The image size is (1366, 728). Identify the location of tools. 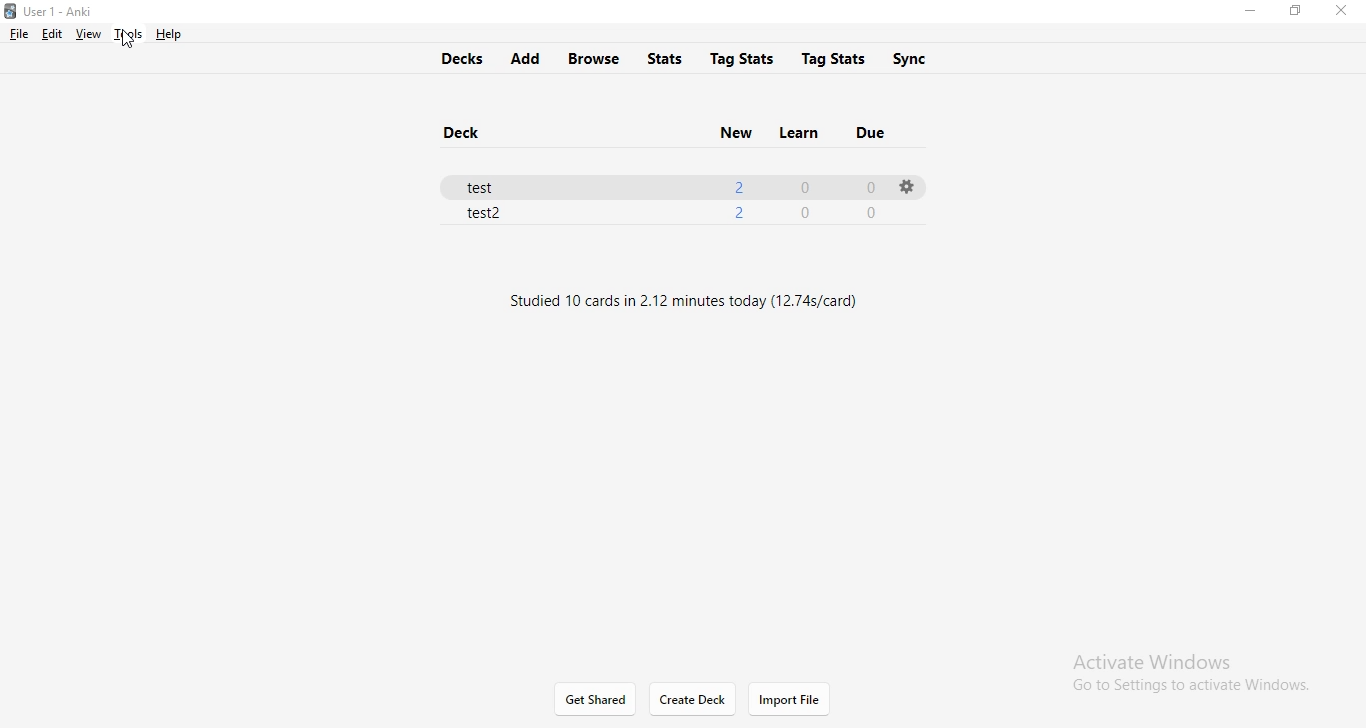
(125, 34).